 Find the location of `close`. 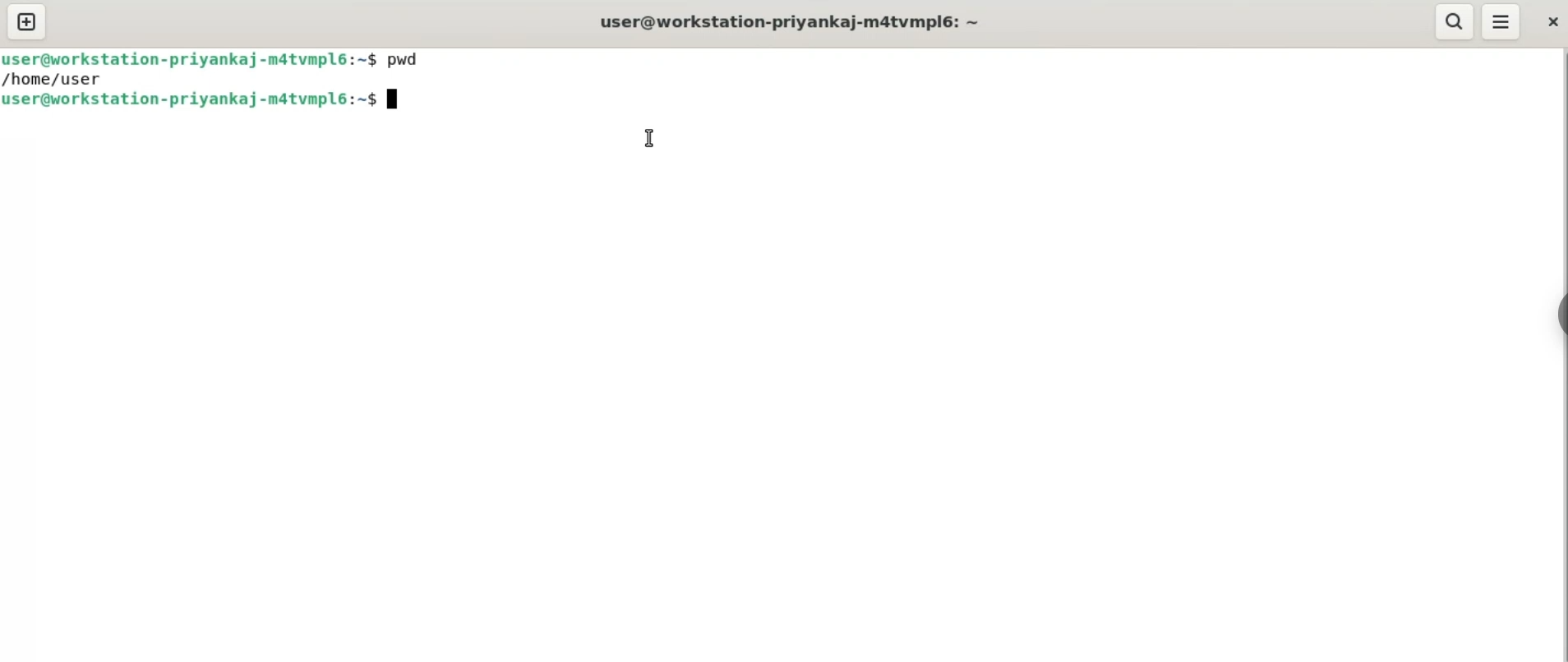

close is located at coordinates (1553, 25).